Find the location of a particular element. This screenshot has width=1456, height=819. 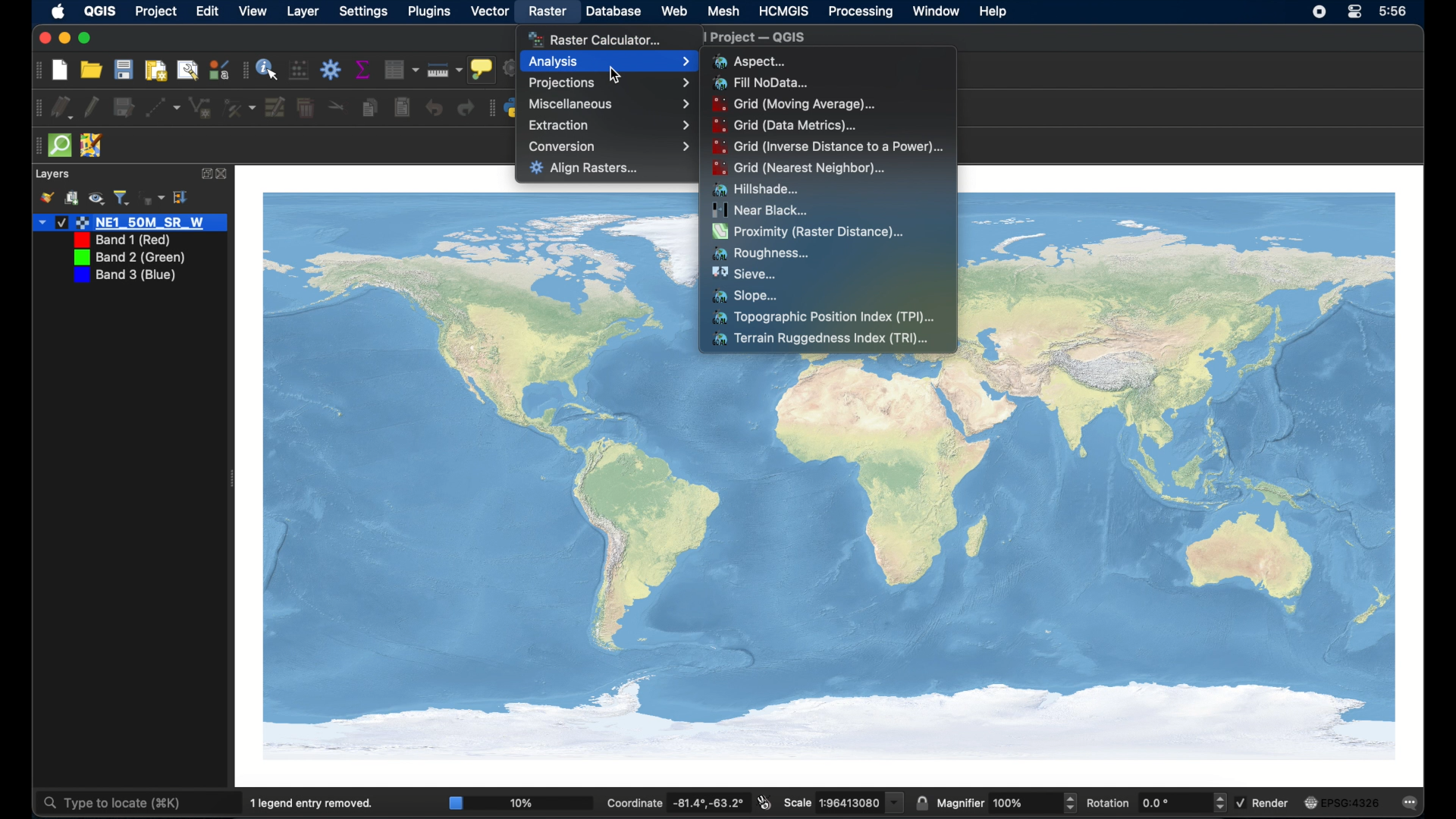

grid (nearest neighbor is located at coordinates (800, 168).